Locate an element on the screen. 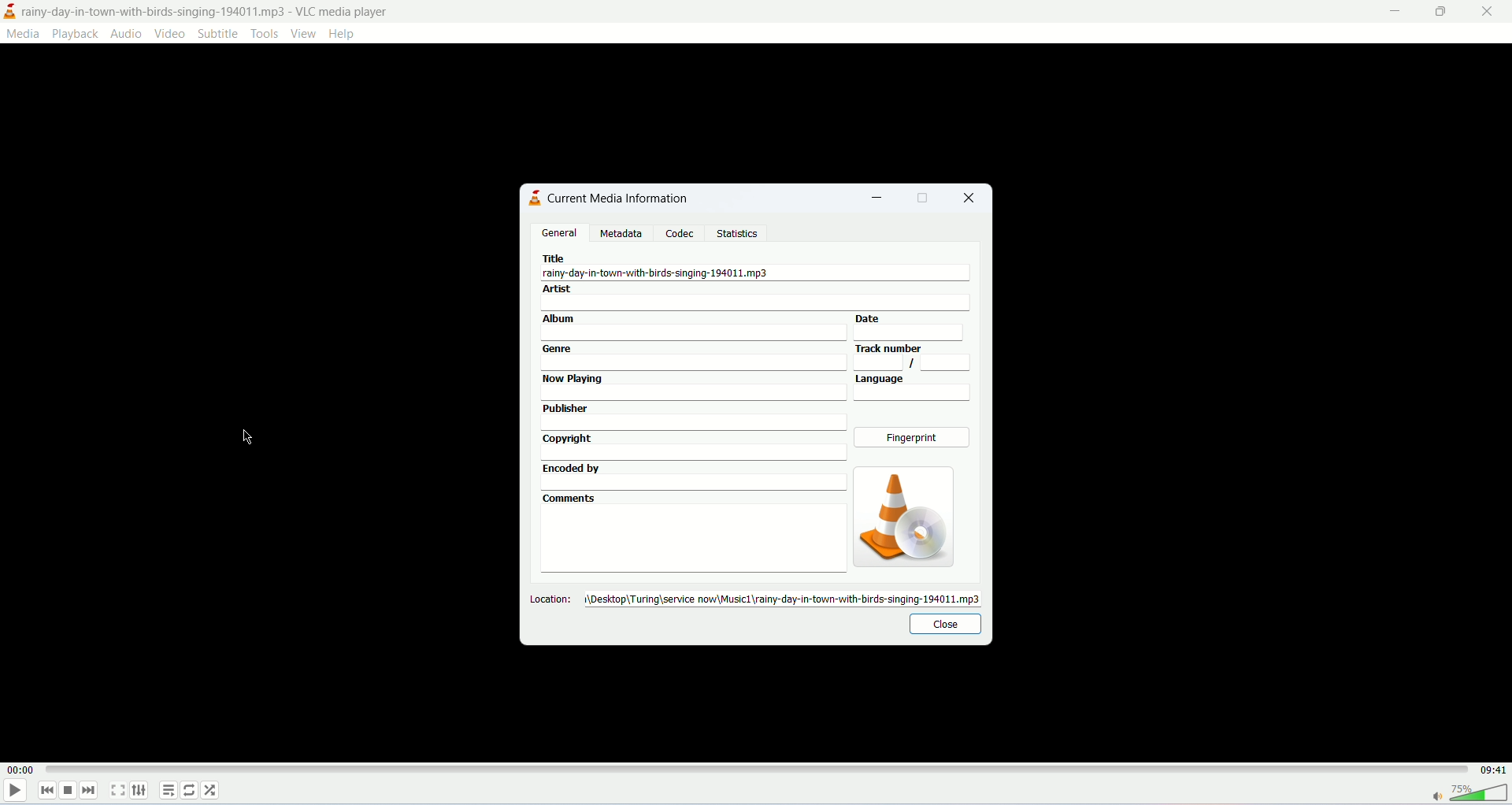 Image resolution: width=1512 pixels, height=805 pixels. stop is located at coordinates (68, 792).